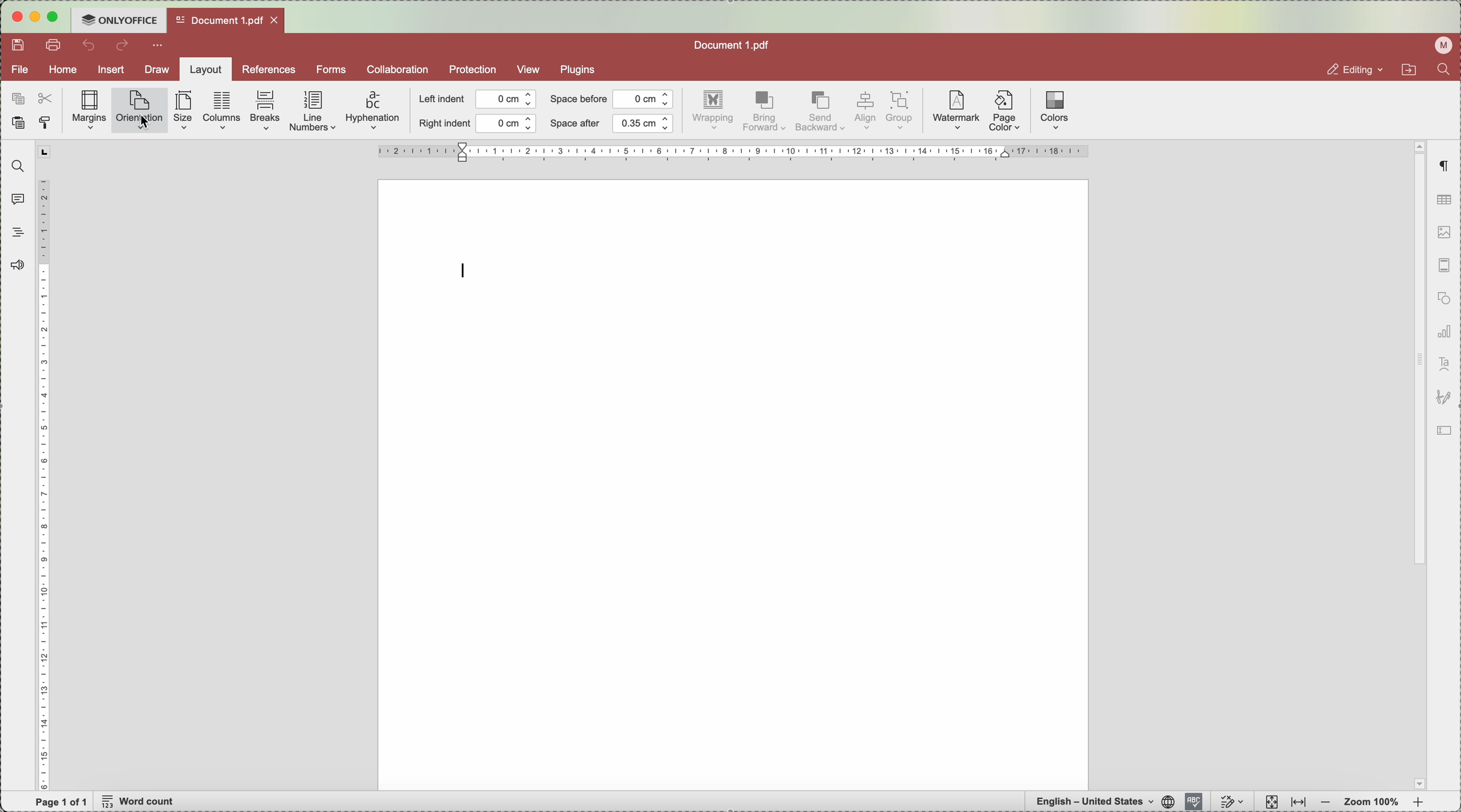 This screenshot has height=812, width=1461. I want to click on english, so click(1101, 801).